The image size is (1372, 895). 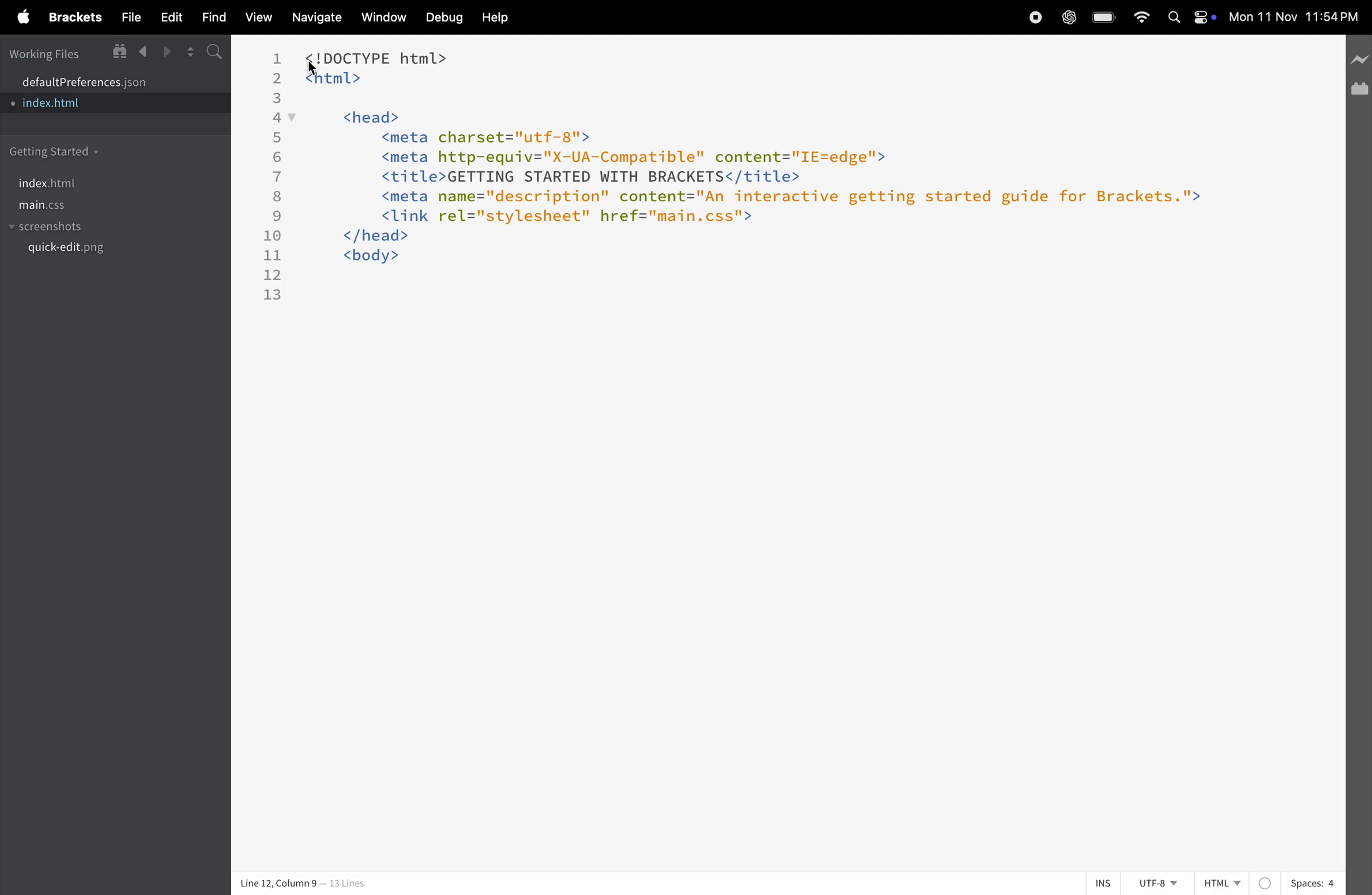 I want to click on show in file tree, so click(x=116, y=51).